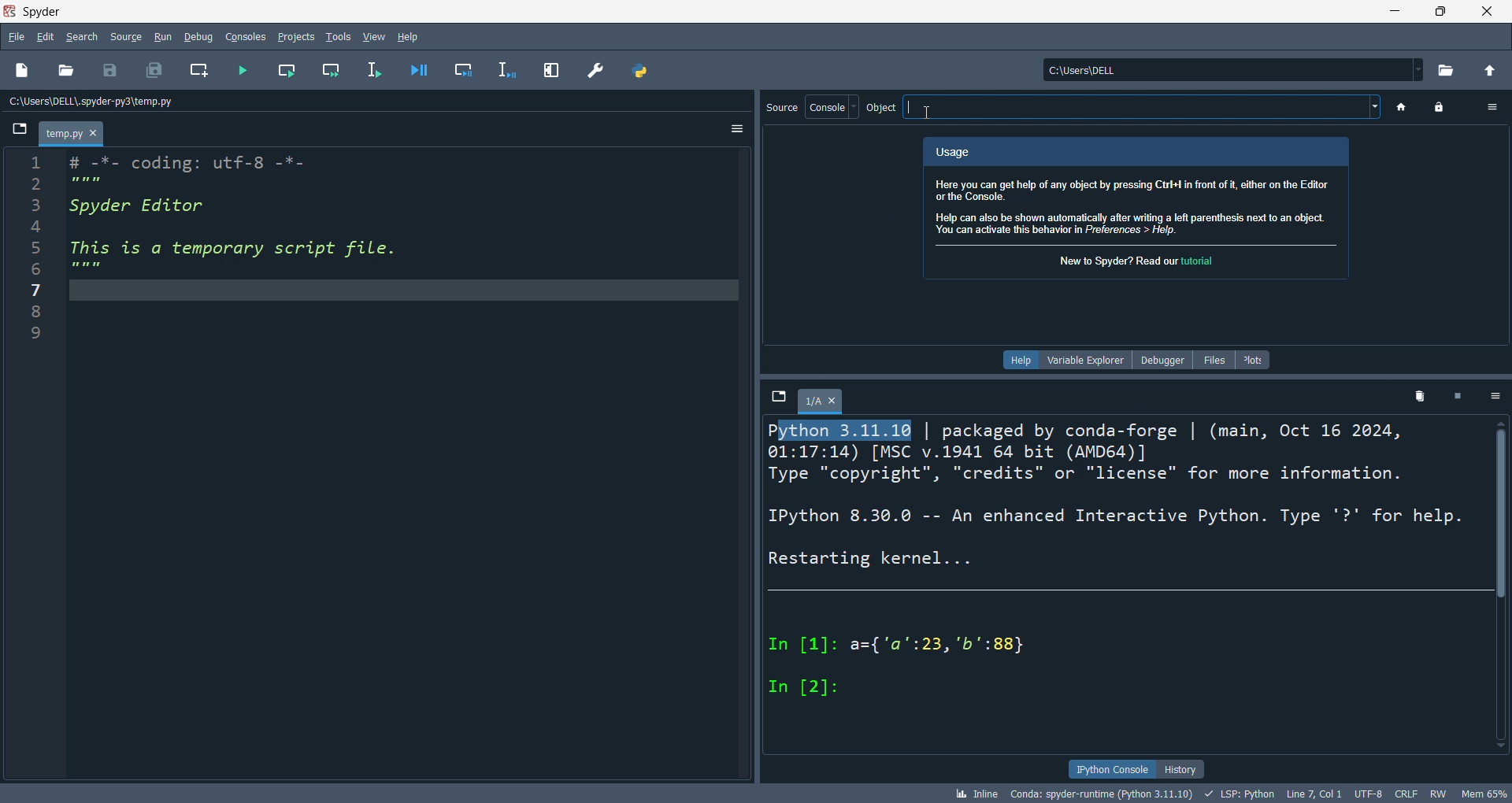 This screenshot has width=1512, height=803. What do you see at coordinates (1488, 68) in the screenshot?
I see `open parent directory` at bounding box center [1488, 68].